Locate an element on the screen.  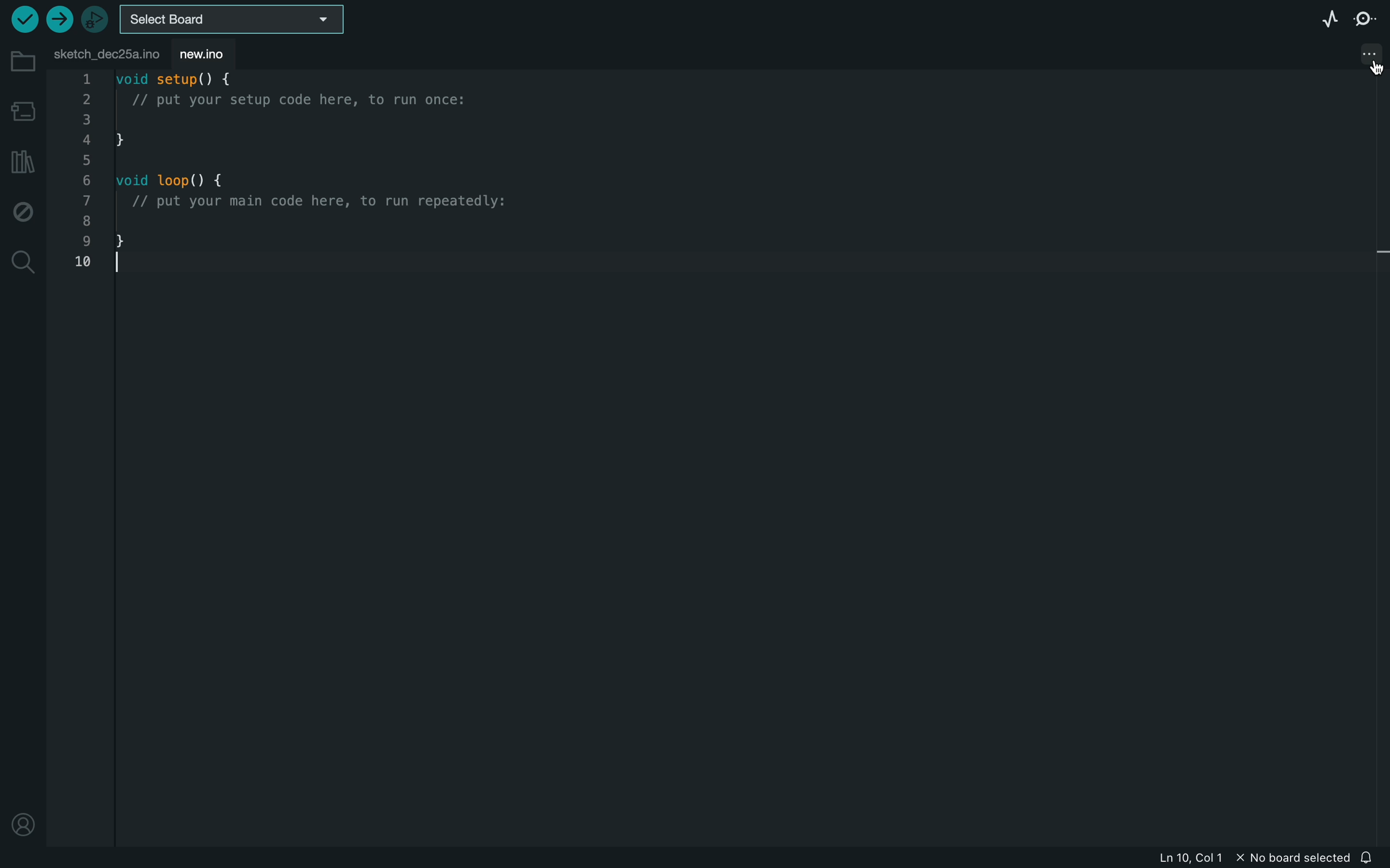
debug is located at coordinates (23, 212).